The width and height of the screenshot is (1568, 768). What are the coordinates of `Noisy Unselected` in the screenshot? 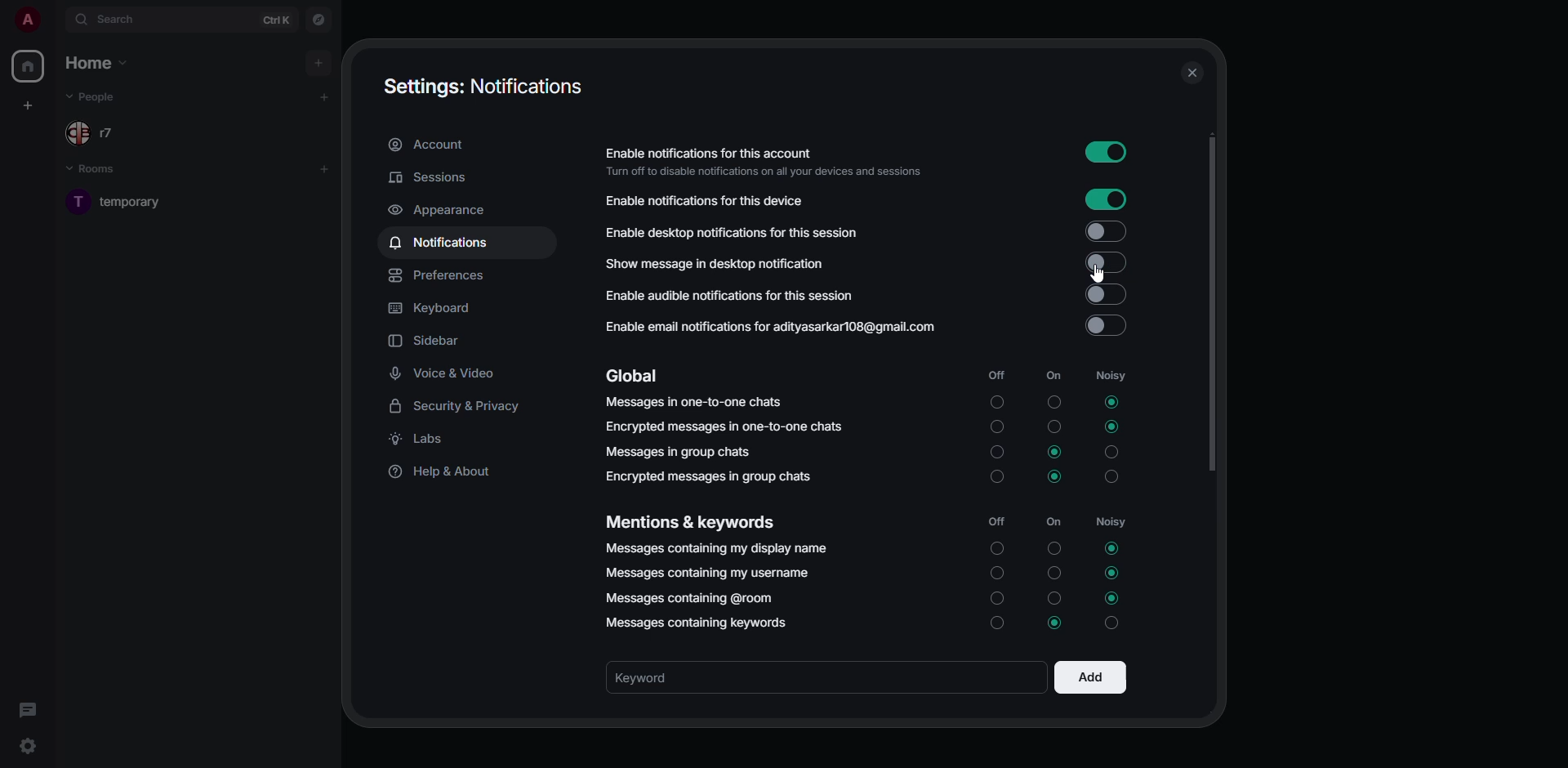 It's located at (1112, 478).